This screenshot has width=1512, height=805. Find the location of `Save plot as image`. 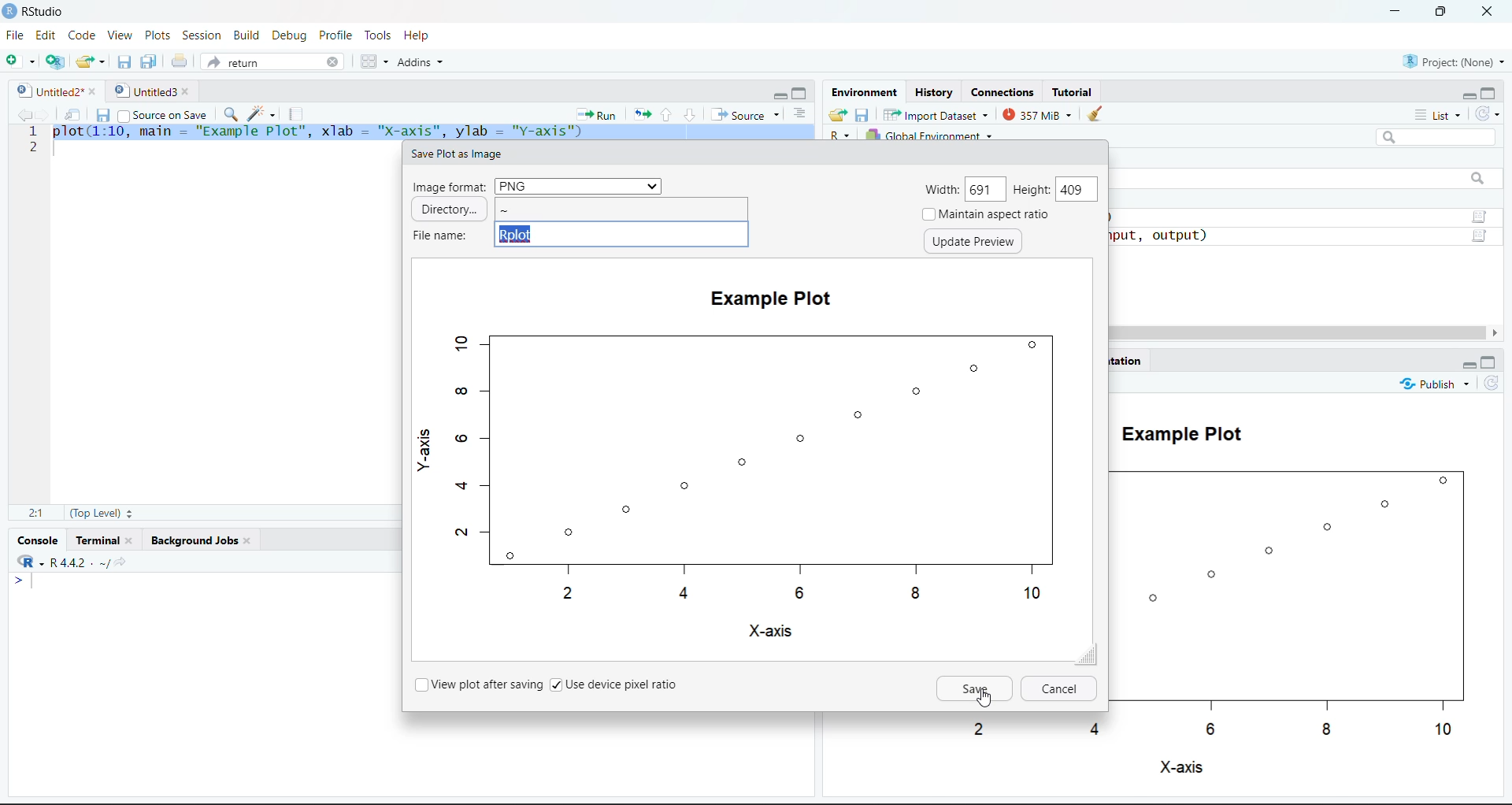

Save plot as image is located at coordinates (454, 154).